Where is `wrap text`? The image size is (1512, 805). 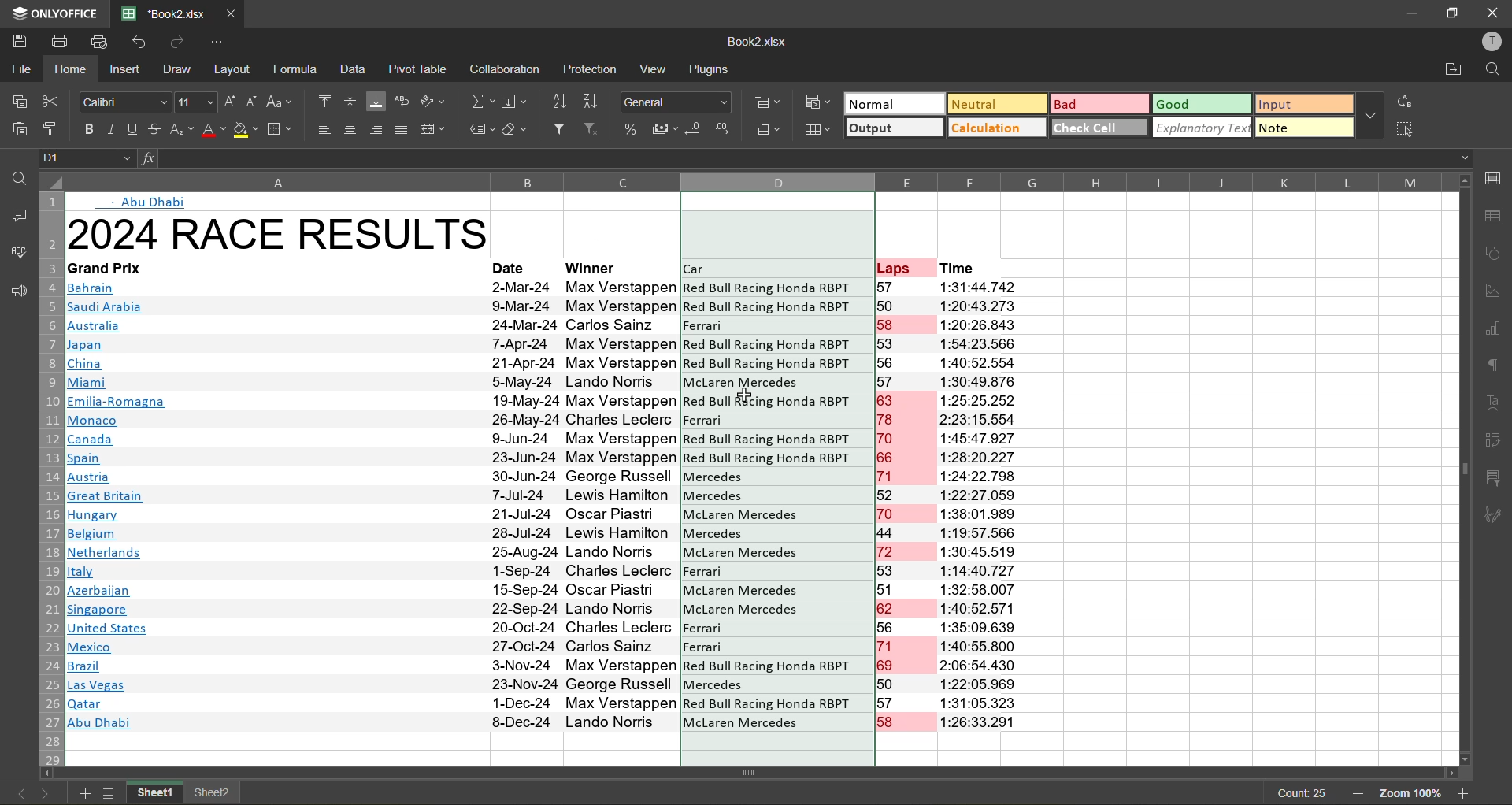 wrap text is located at coordinates (402, 102).